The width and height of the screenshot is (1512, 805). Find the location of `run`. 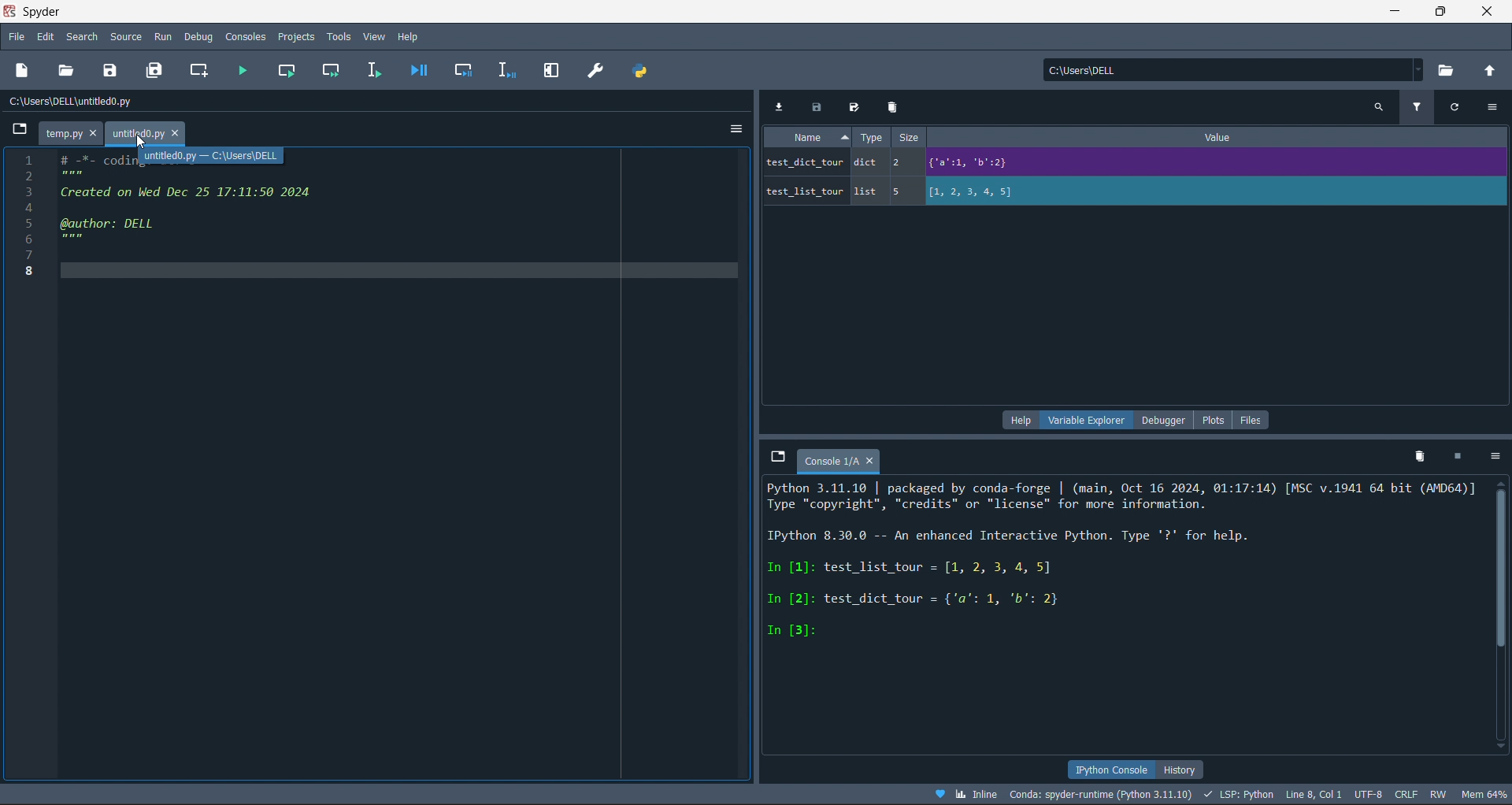

run is located at coordinates (161, 36).